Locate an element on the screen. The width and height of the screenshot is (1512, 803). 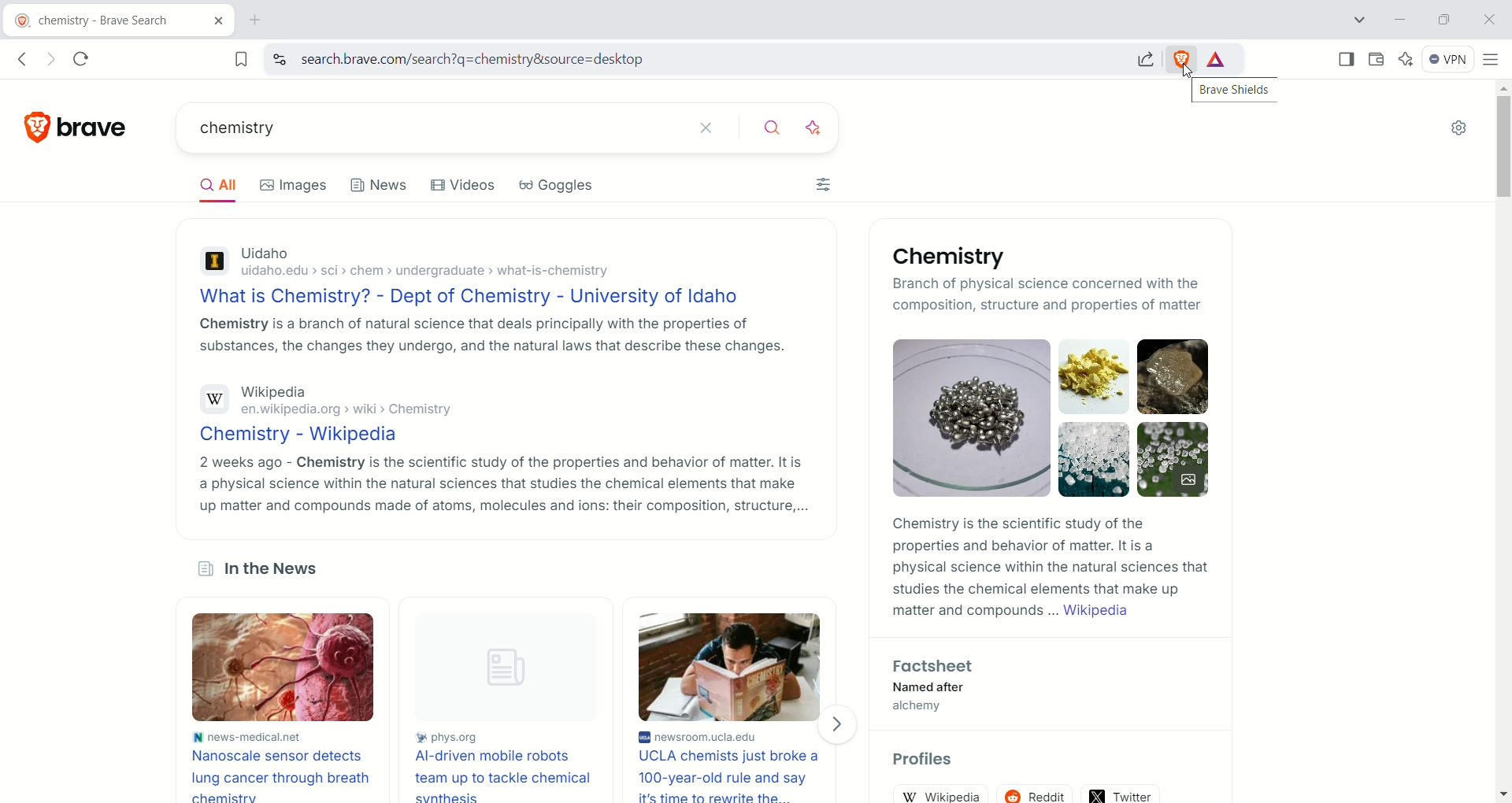
What is chemistry? - Dept of Chemistry - University of Idaho is located at coordinates (487, 298).